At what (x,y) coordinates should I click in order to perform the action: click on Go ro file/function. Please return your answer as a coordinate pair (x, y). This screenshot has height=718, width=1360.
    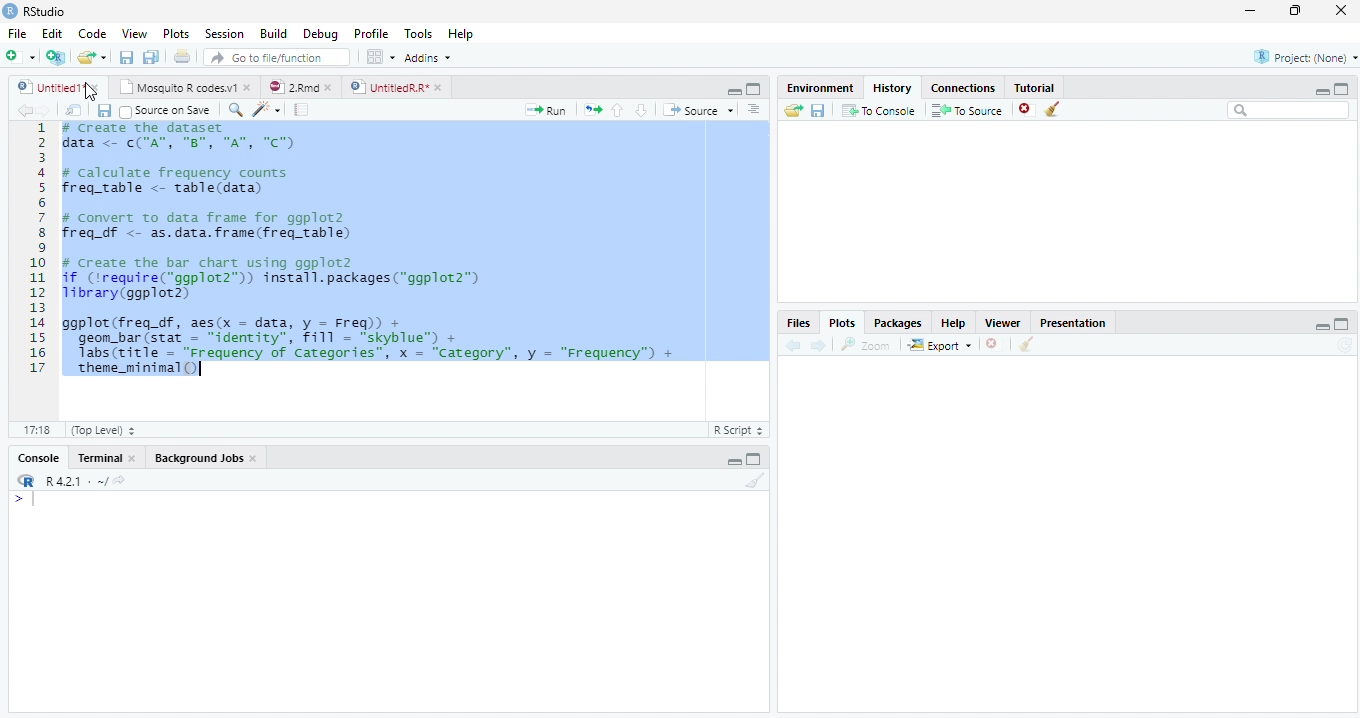
    Looking at the image, I should click on (275, 58).